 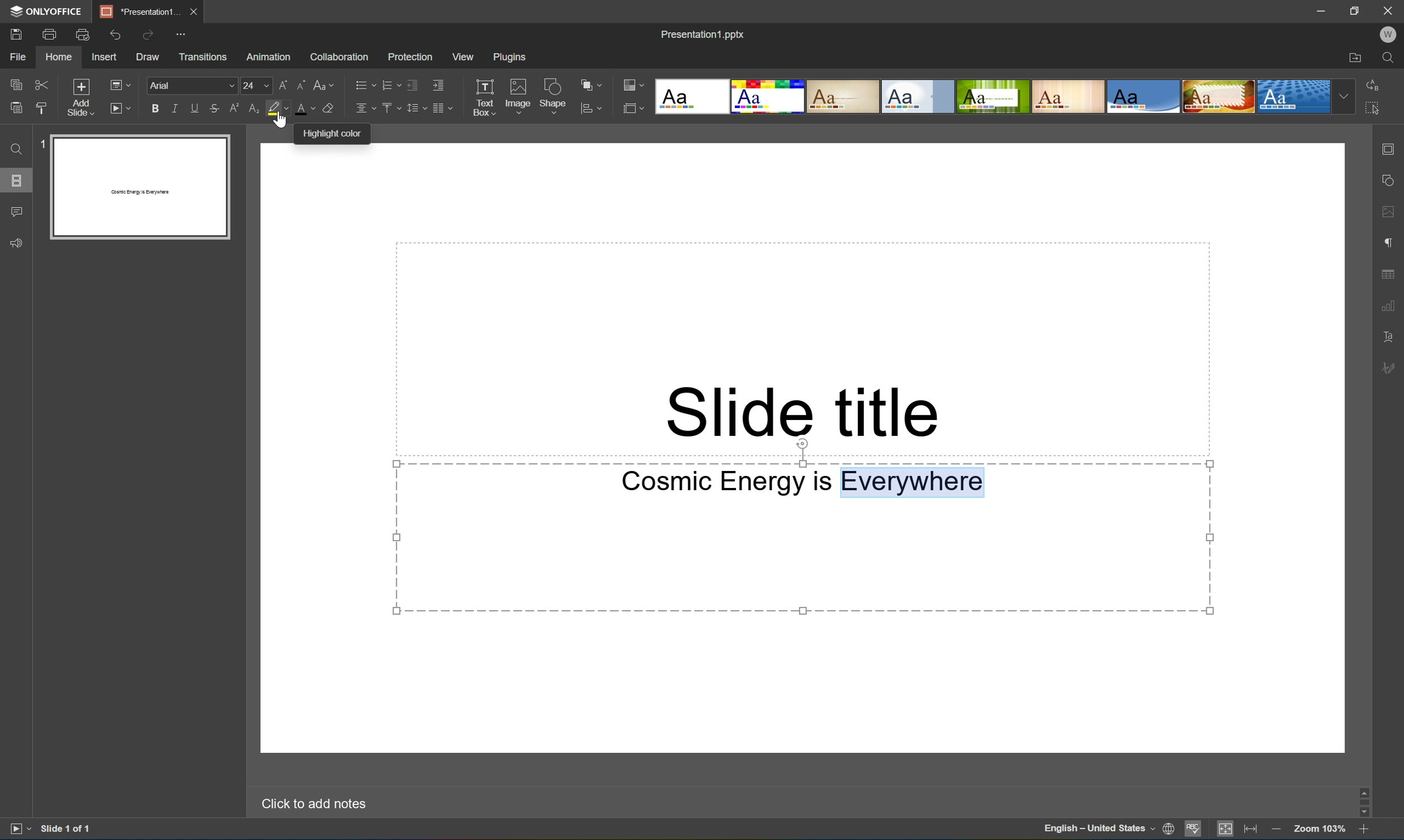 I want to click on Fit to slide, so click(x=1225, y=830).